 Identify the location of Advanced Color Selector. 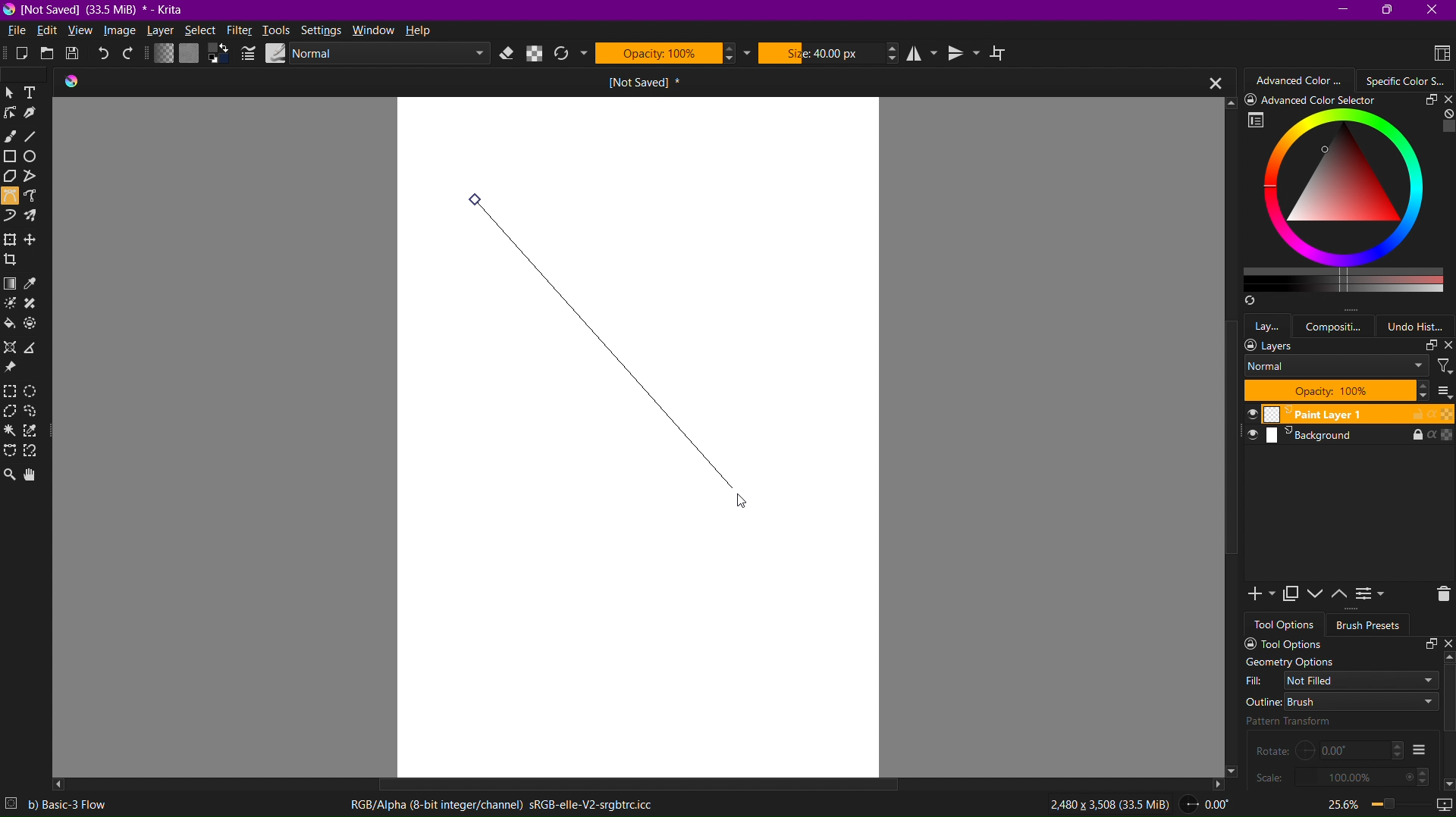
(1302, 80).